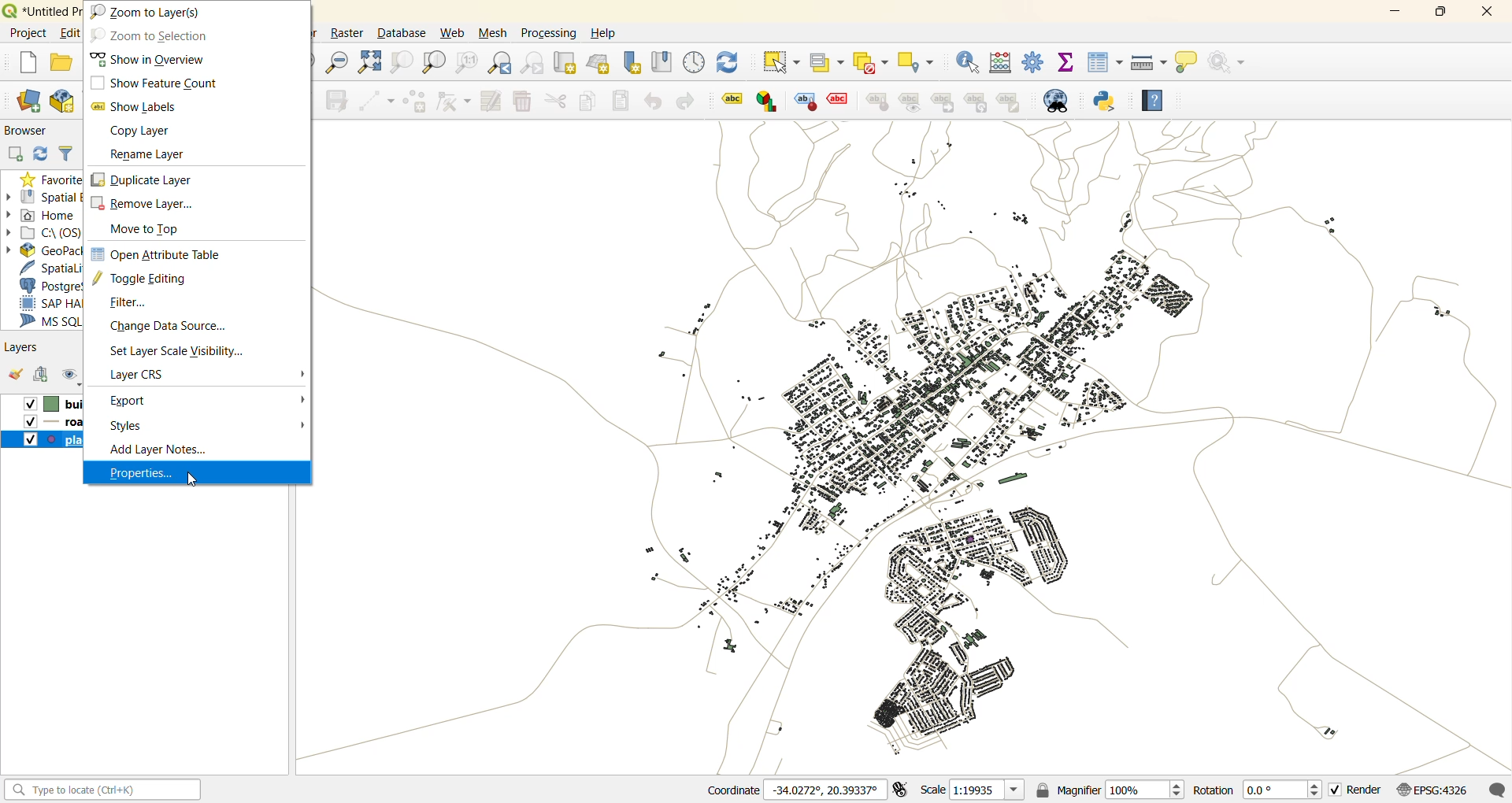 This screenshot has width=1512, height=803. What do you see at coordinates (416, 102) in the screenshot?
I see `add polygon` at bounding box center [416, 102].